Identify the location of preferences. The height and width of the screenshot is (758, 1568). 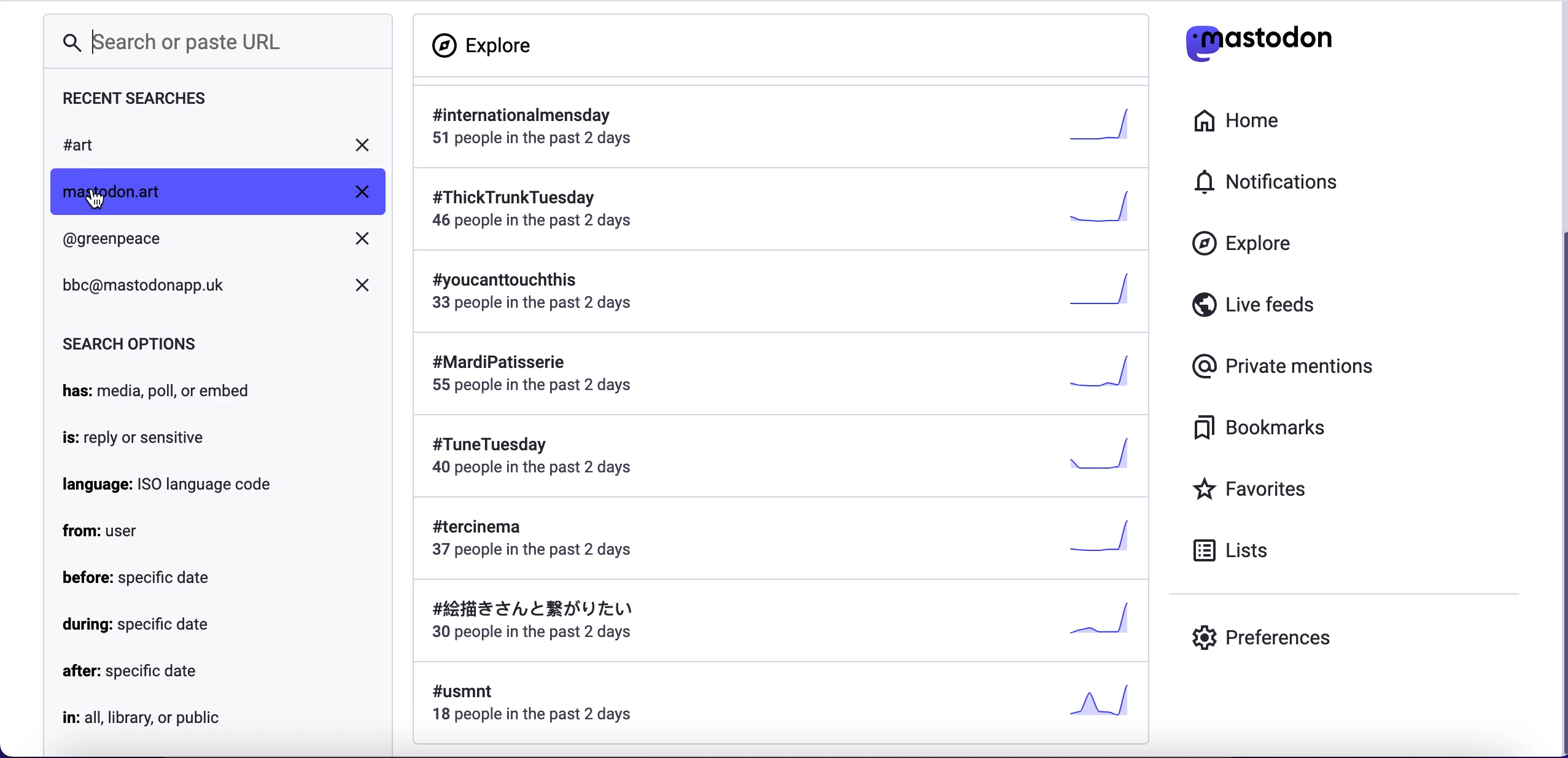
(1261, 641).